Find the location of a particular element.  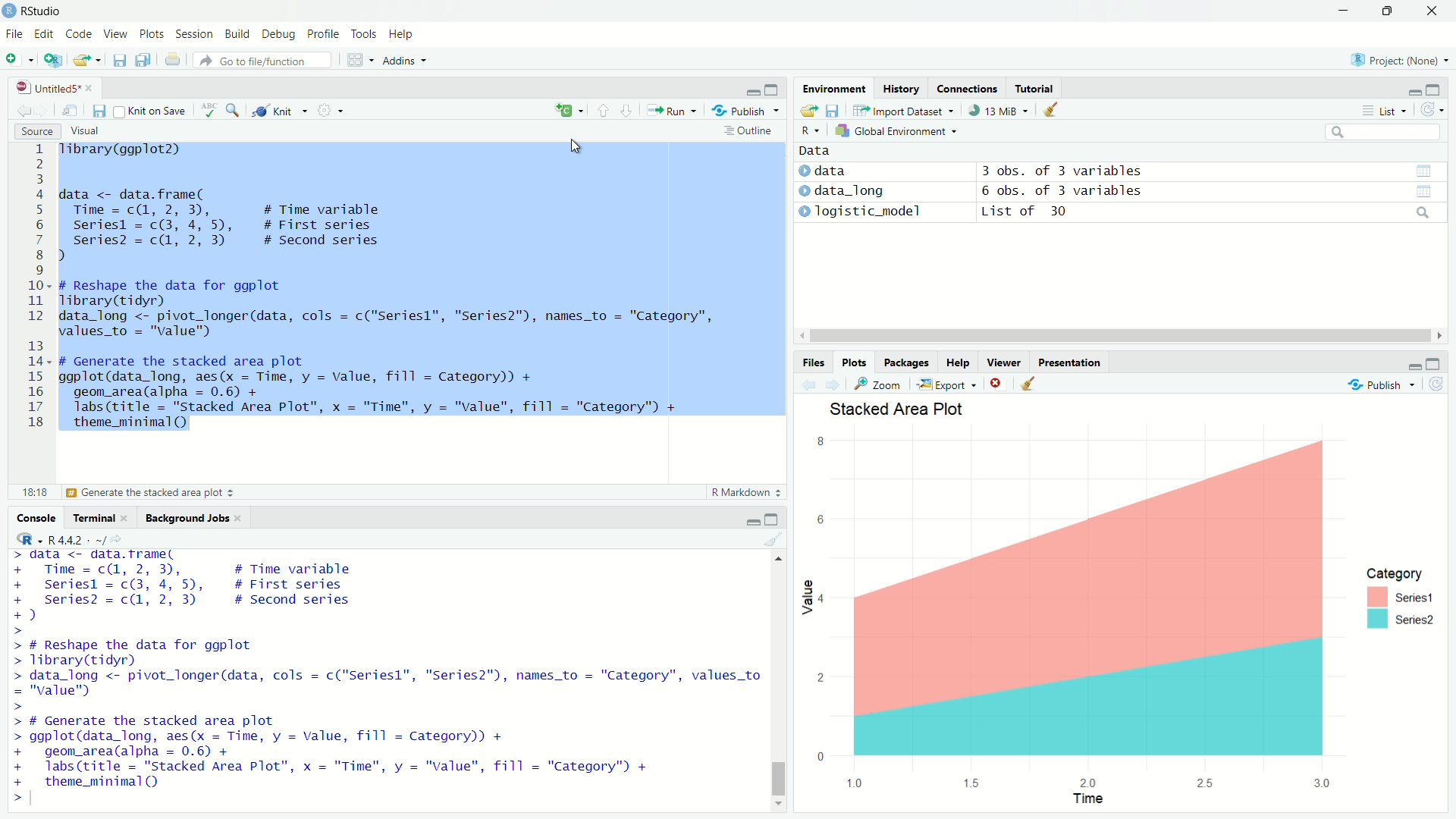

Plots. is located at coordinates (854, 362).